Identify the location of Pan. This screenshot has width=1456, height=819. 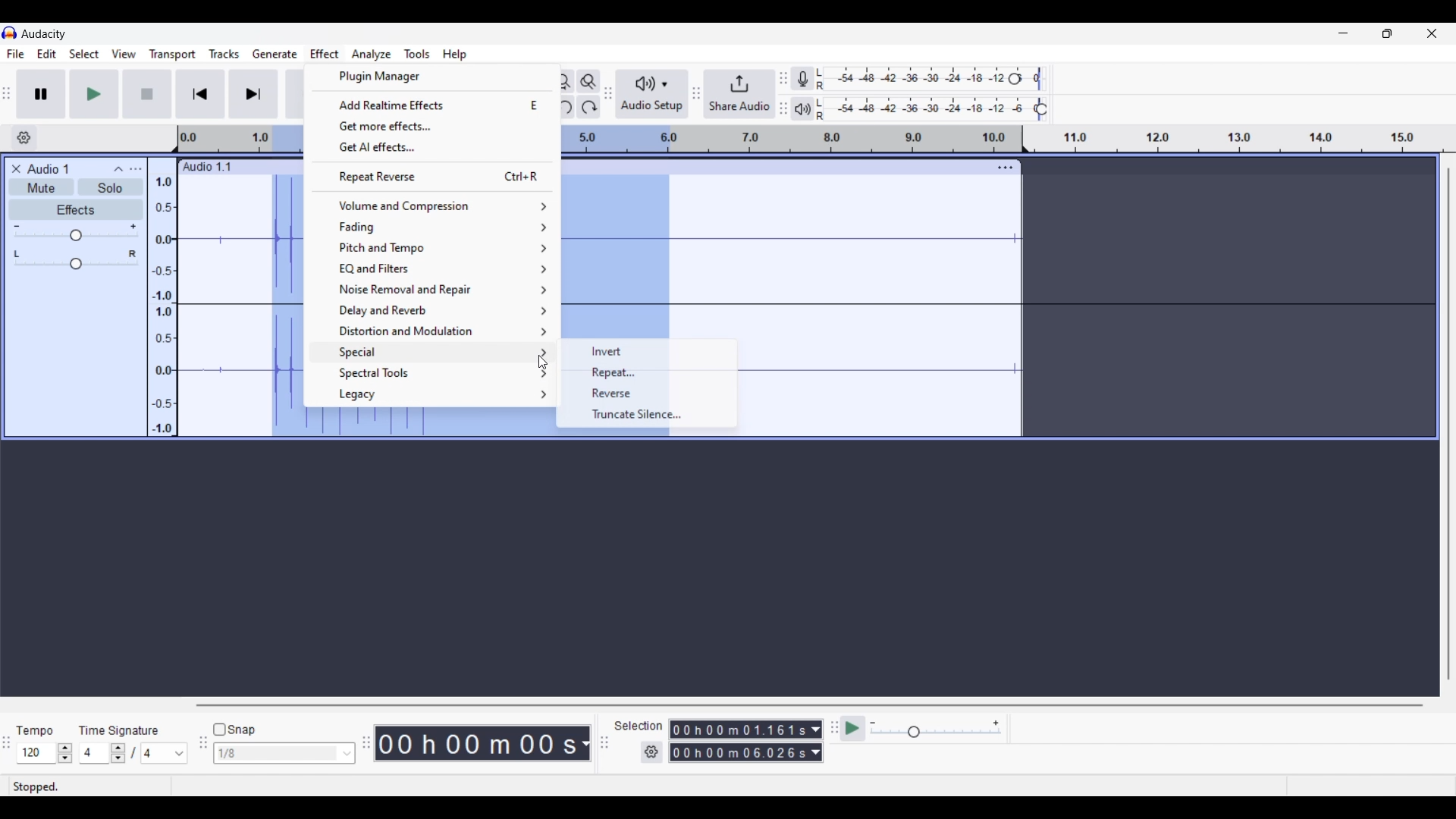
(76, 265).